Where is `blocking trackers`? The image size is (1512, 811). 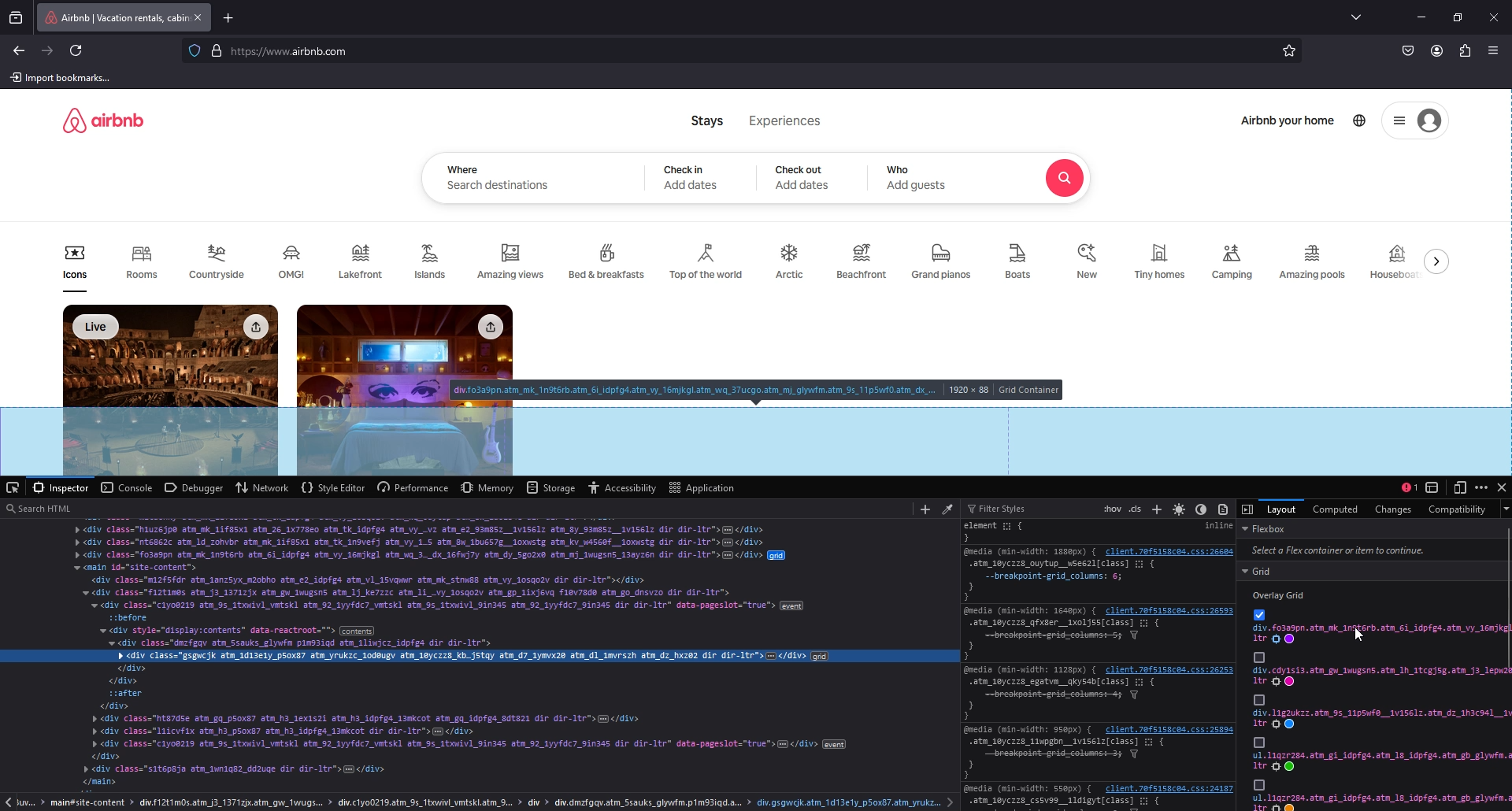 blocking trackers is located at coordinates (194, 50).